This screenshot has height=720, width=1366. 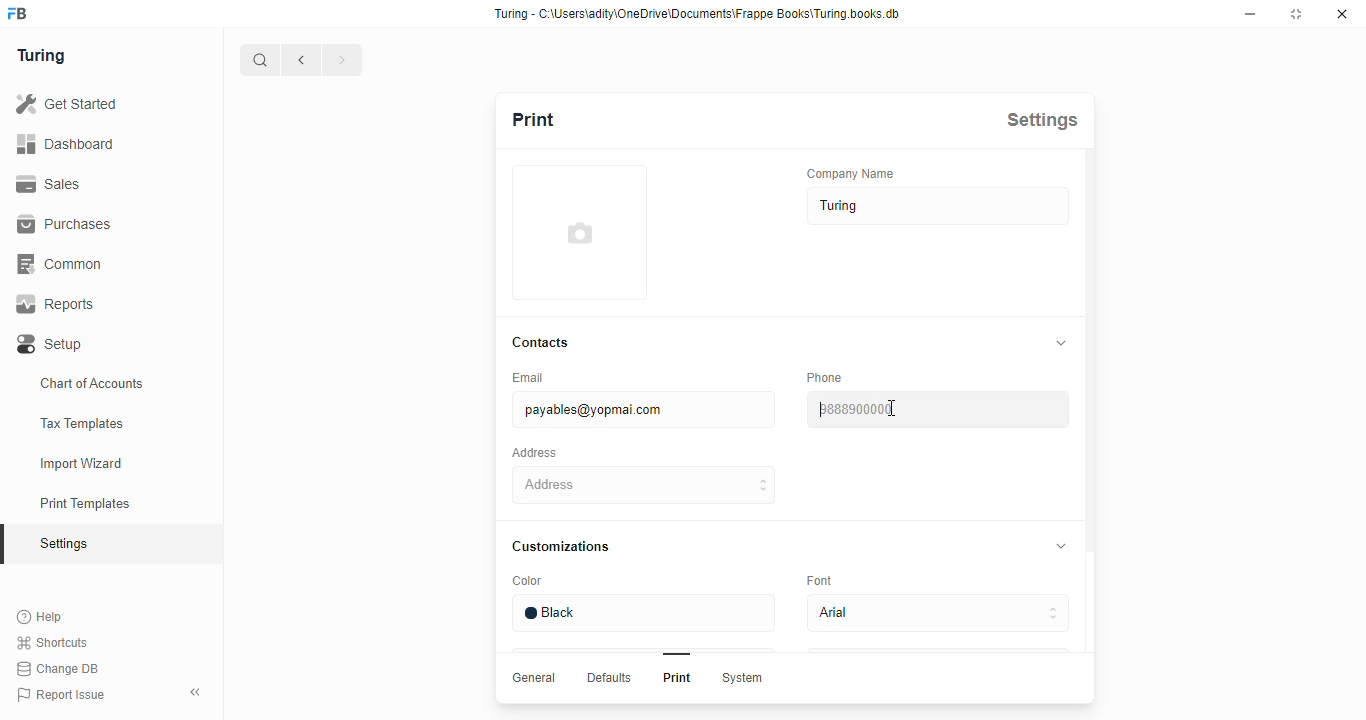 I want to click on collapse, so click(x=197, y=692).